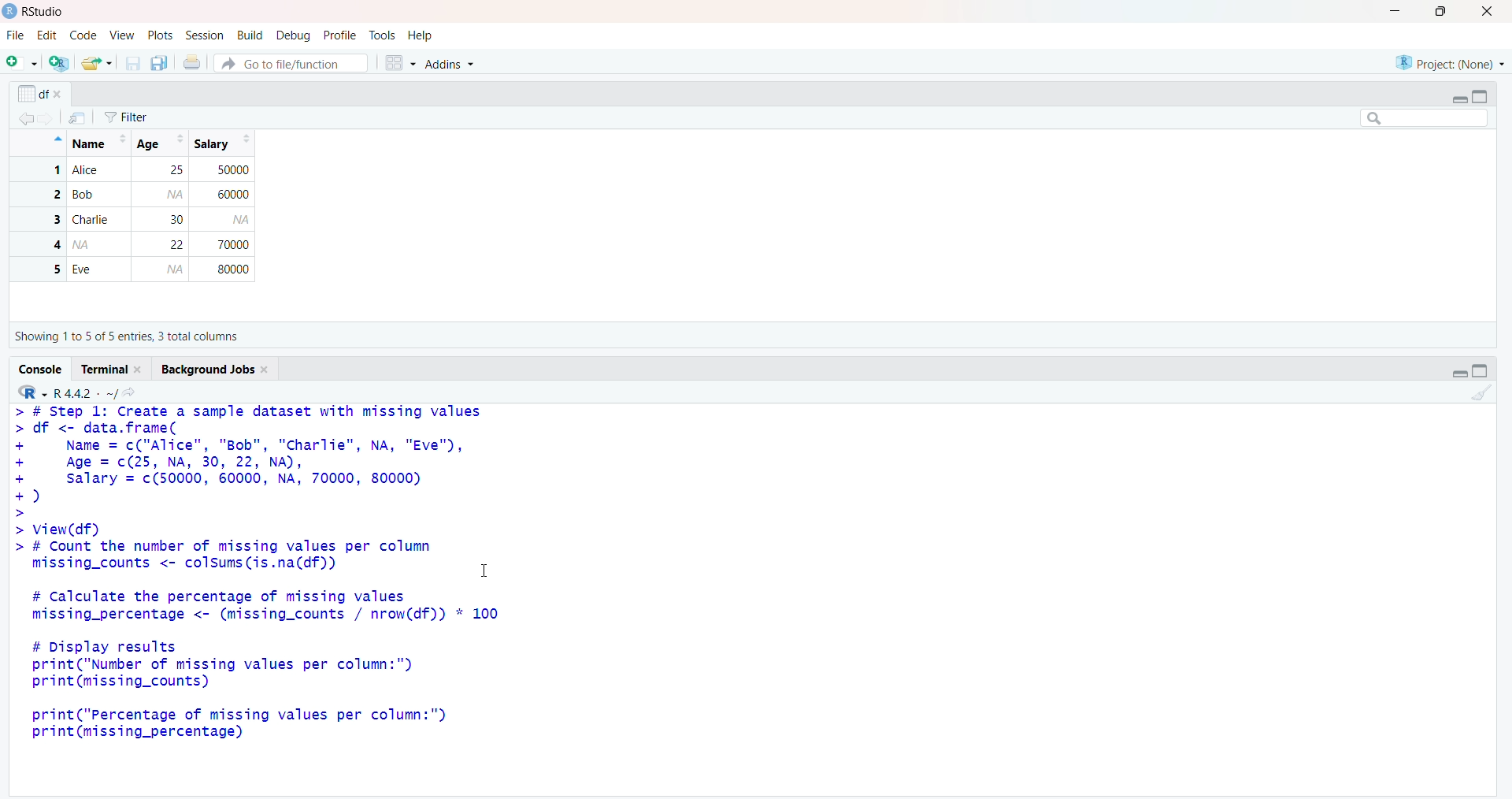 This screenshot has width=1512, height=799. I want to click on Minimize, so click(1462, 373).